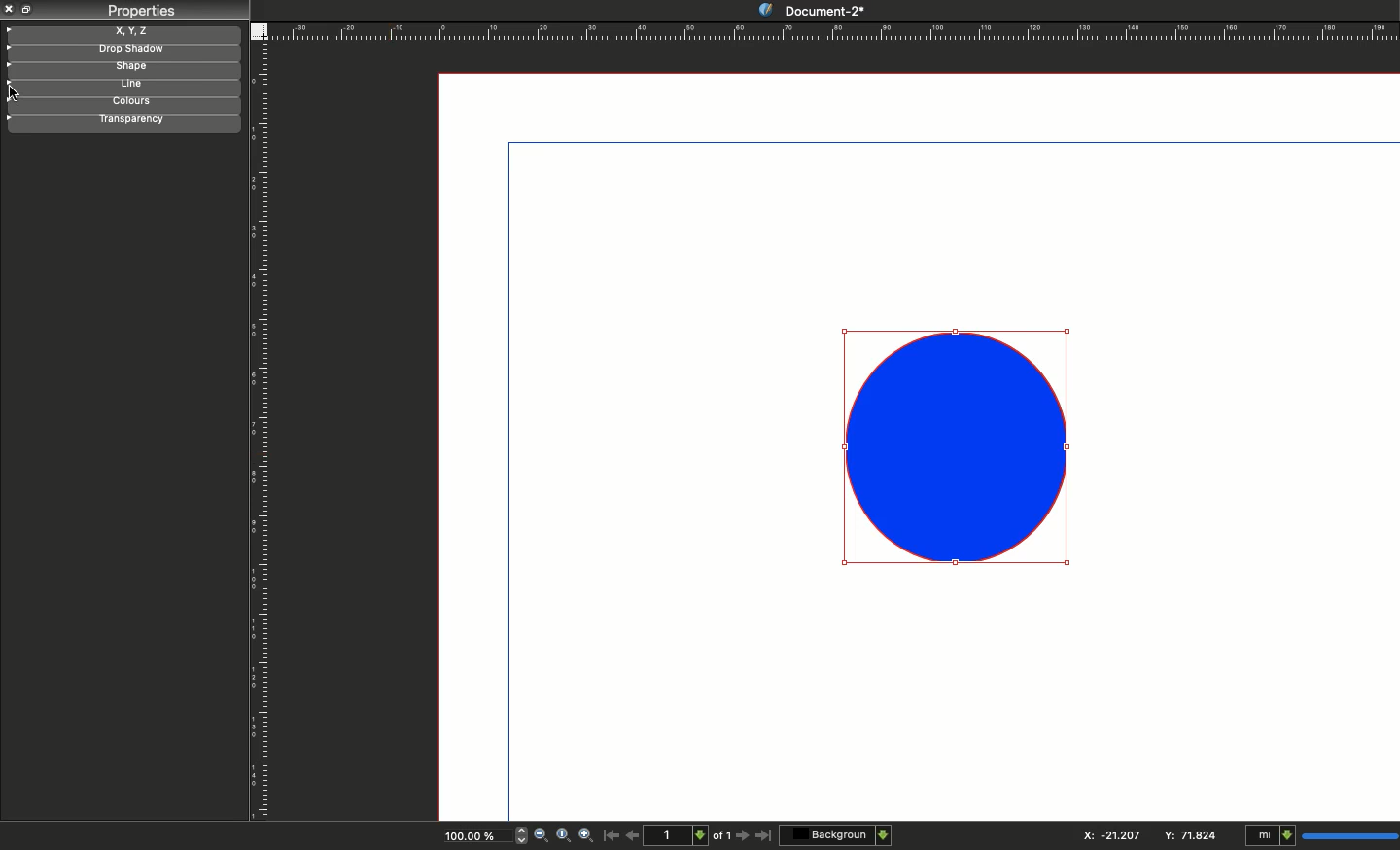 The height and width of the screenshot is (850, 1400). I want to click on Drop shadow, so click(121, 51).